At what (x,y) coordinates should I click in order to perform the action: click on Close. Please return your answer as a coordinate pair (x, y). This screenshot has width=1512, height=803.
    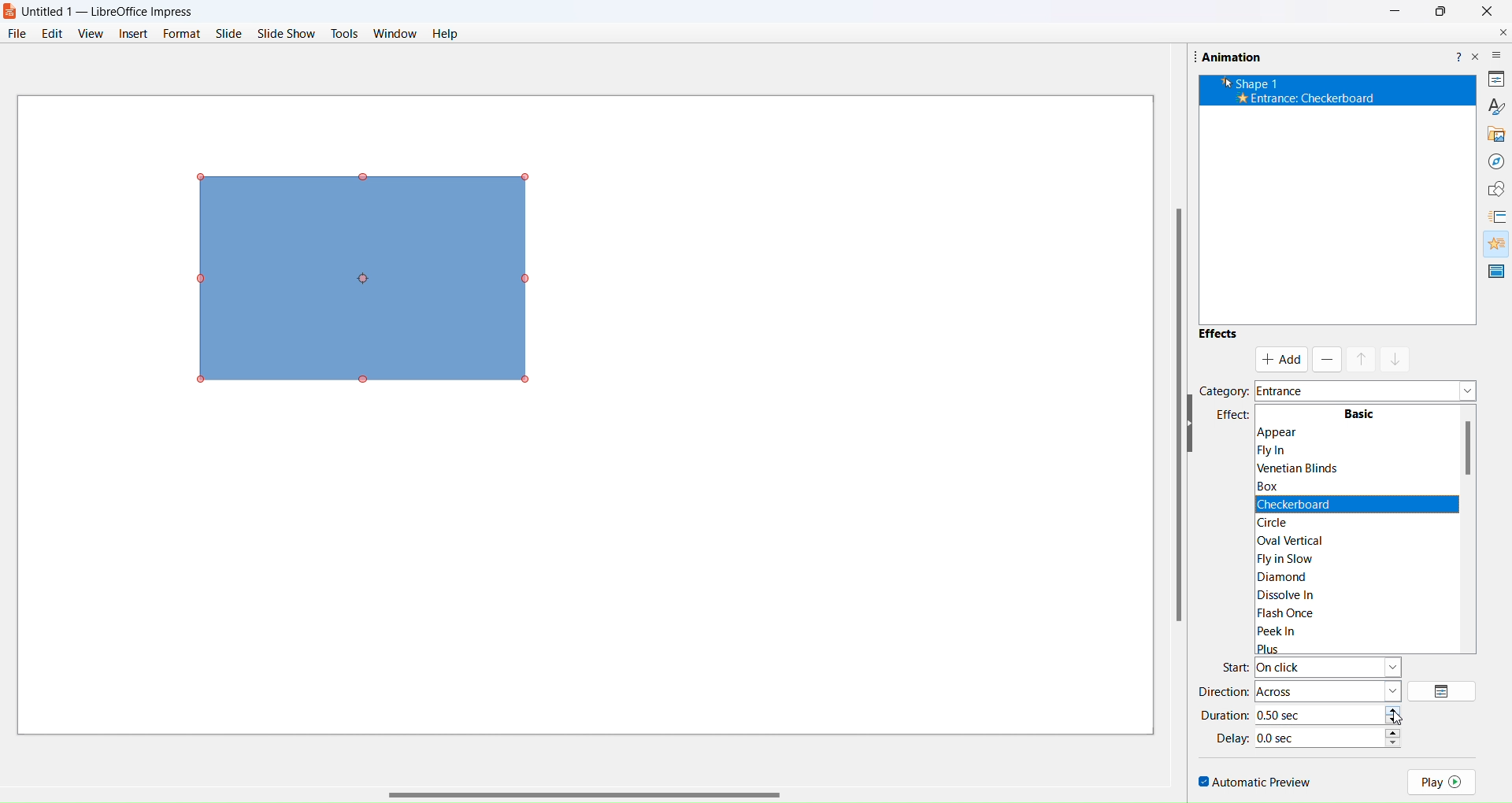
    Looking at the image, I should click on (1492, 14).